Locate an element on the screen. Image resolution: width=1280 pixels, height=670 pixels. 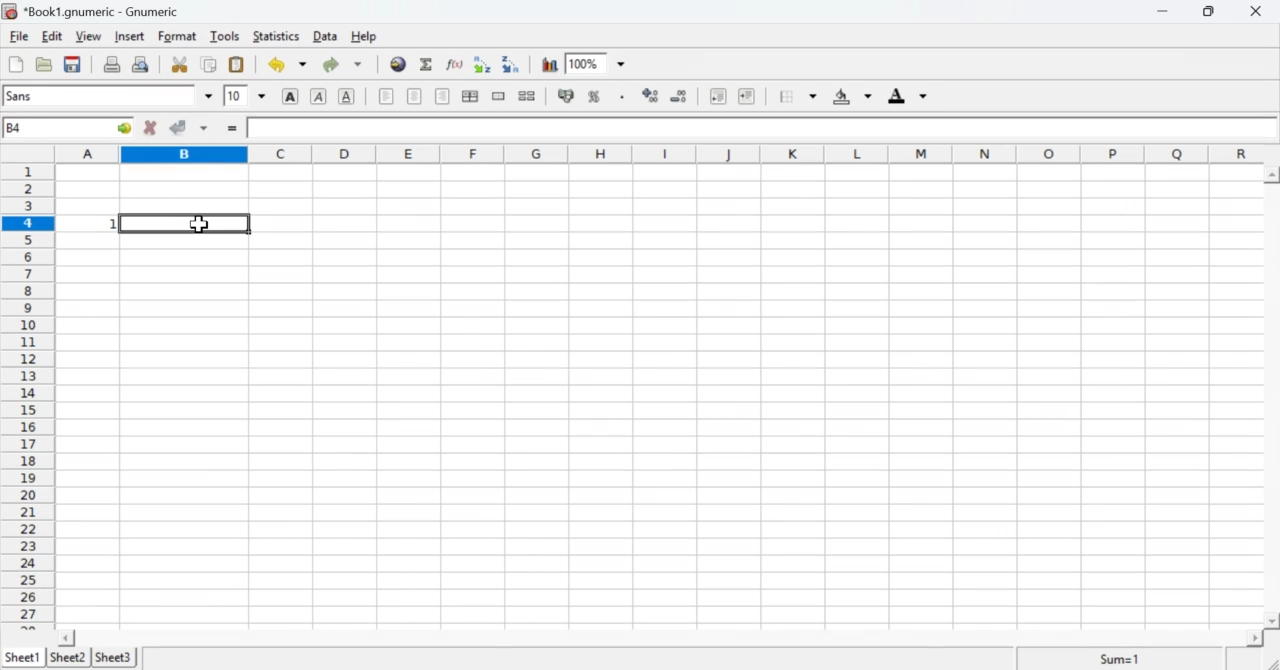
Format is located at coordinates (178, 37).